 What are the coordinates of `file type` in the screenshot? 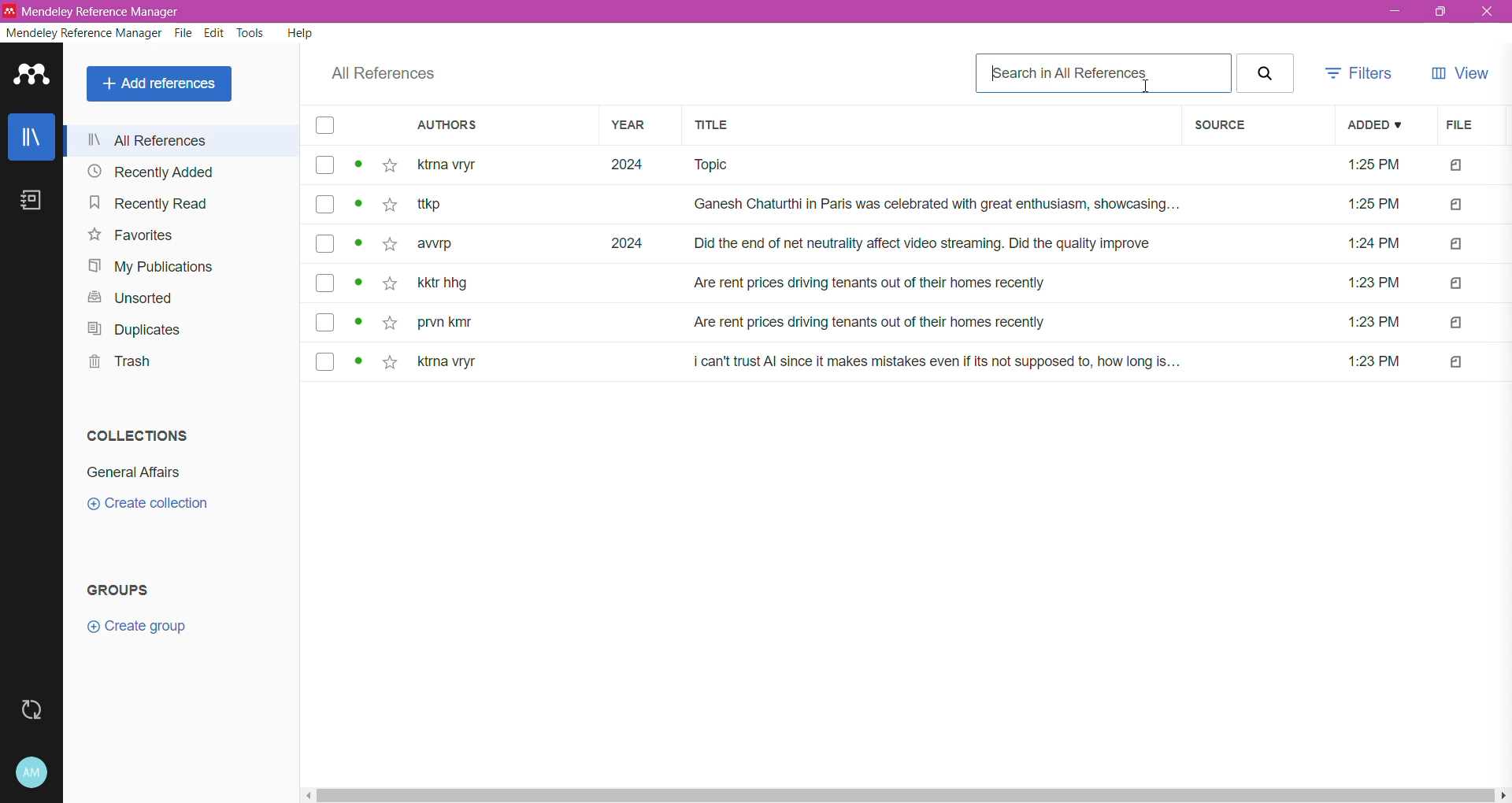 It's located at (1456, 206).